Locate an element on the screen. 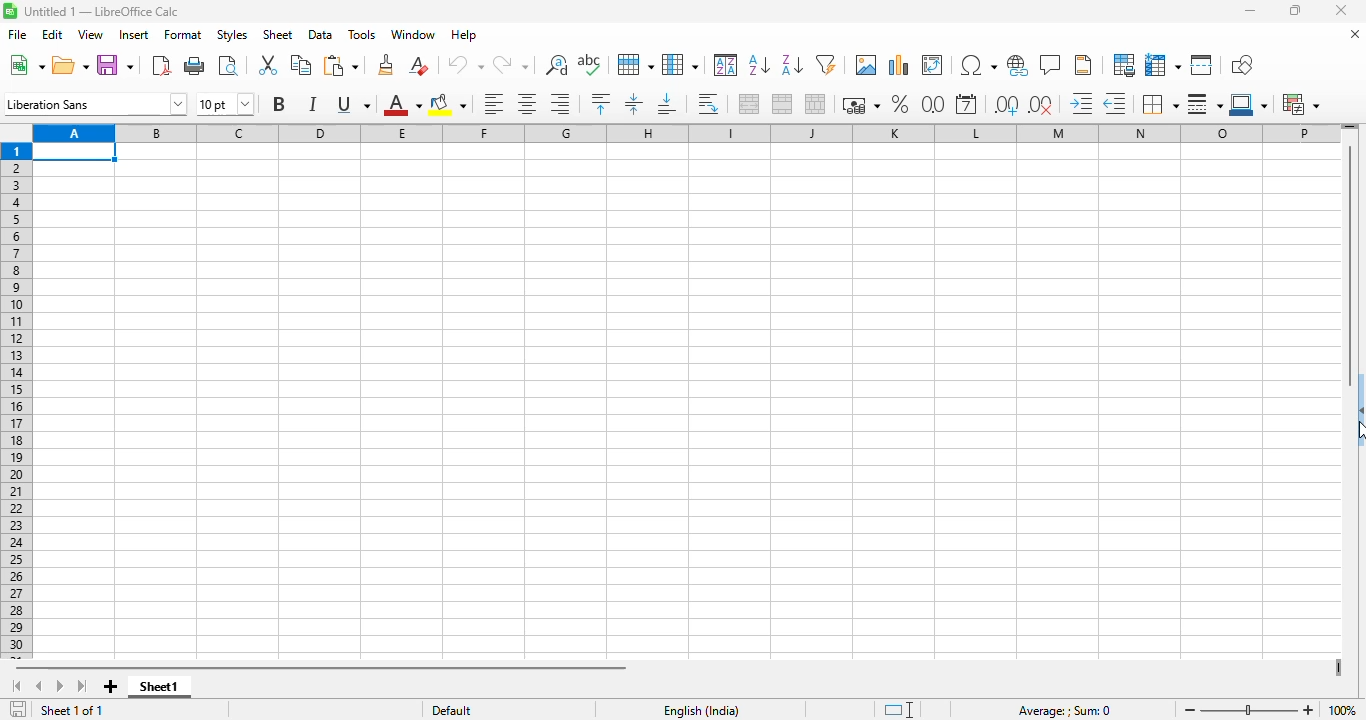  background color is located at coordinates (448, 104).